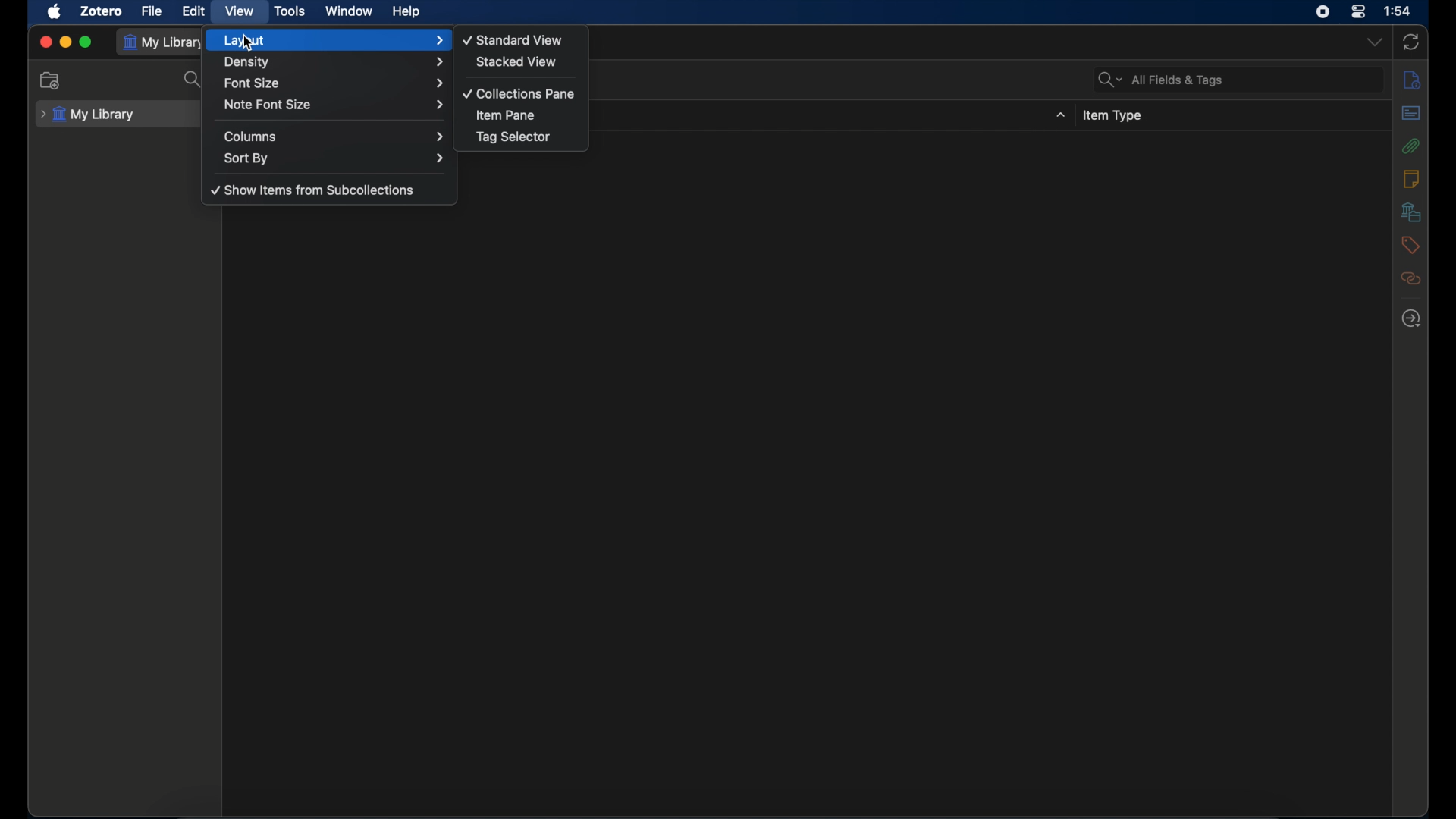  Describe the element at coordinates (1162, 80) in the screenshot. I see `search bar` at that location.